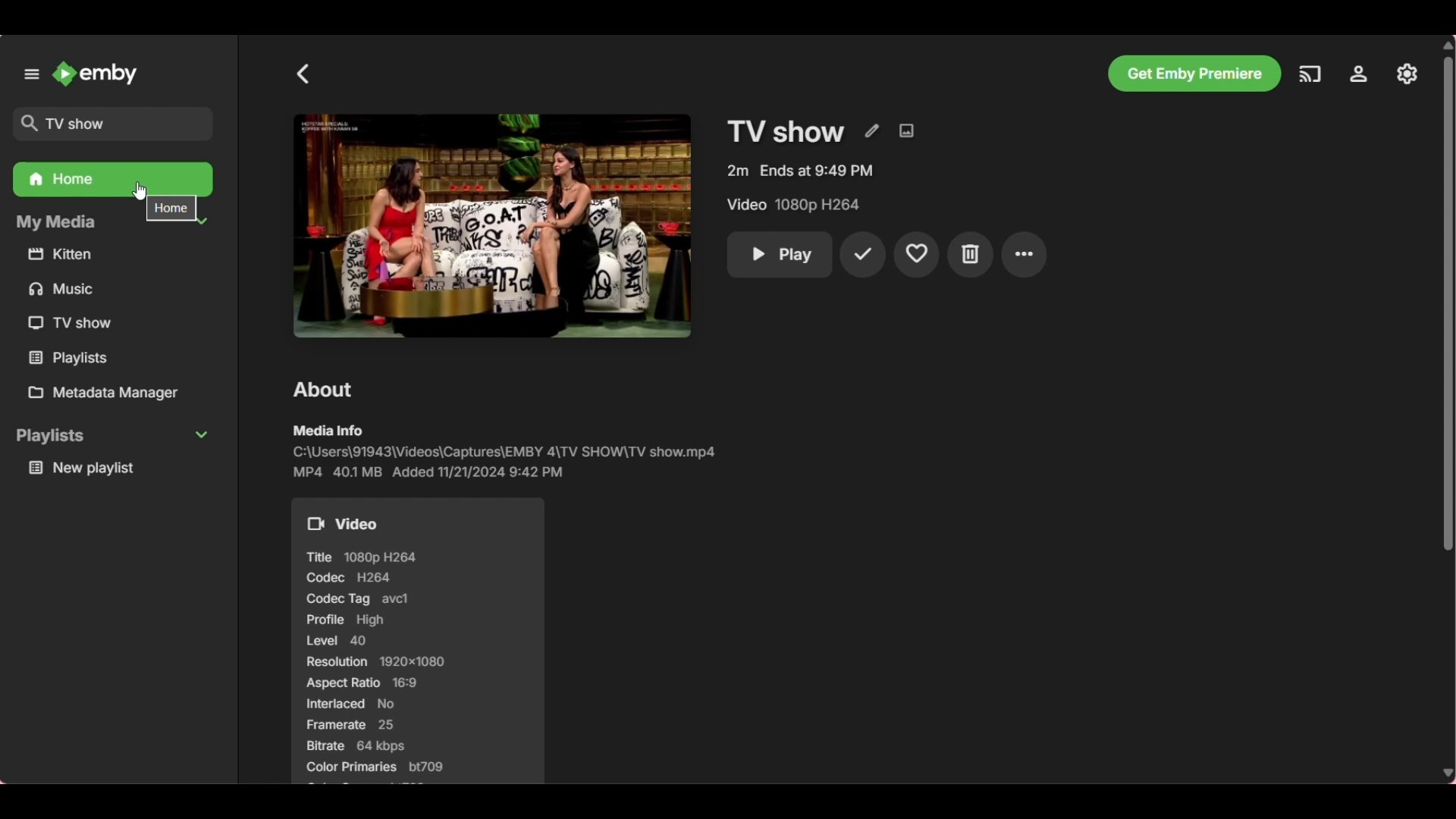 Image resolution: width=1456 pixels, height=819 pixels. Describe the element at coordinates (917, 253) in the screenshot. I see `Add to favorites` at that location.